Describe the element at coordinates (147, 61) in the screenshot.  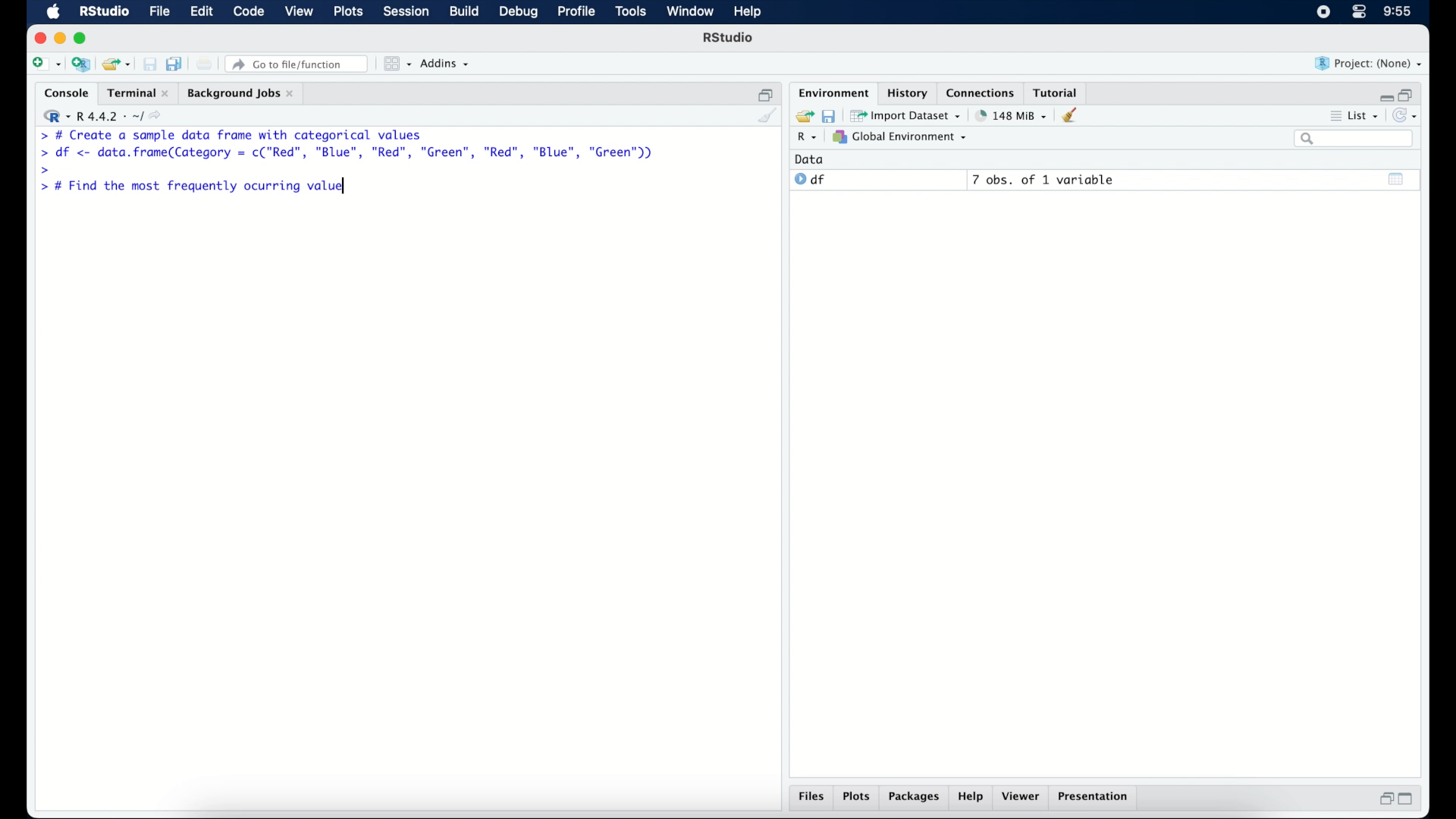
I see `save` at that location.